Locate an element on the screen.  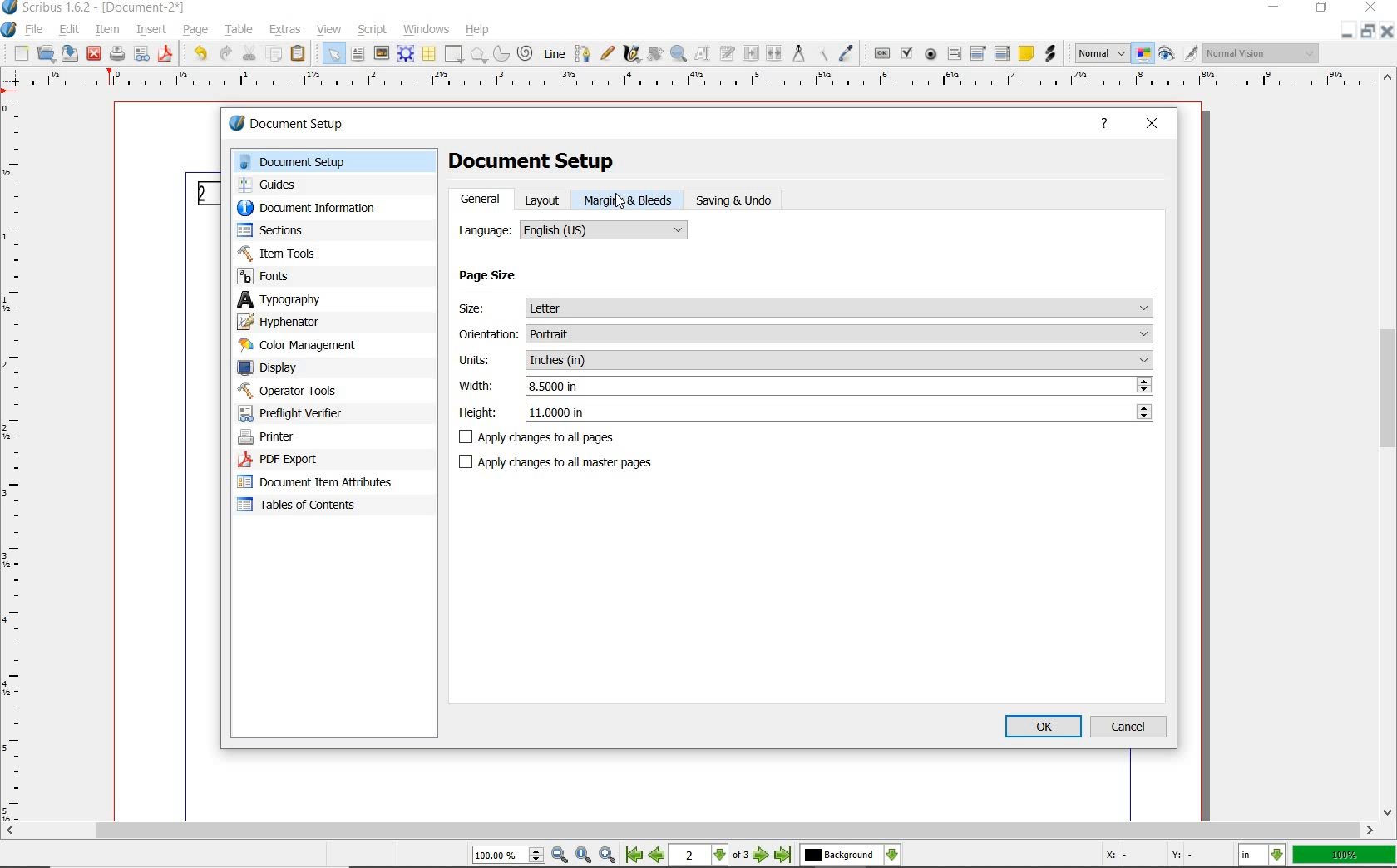
line is located at coordinates (555, 53).